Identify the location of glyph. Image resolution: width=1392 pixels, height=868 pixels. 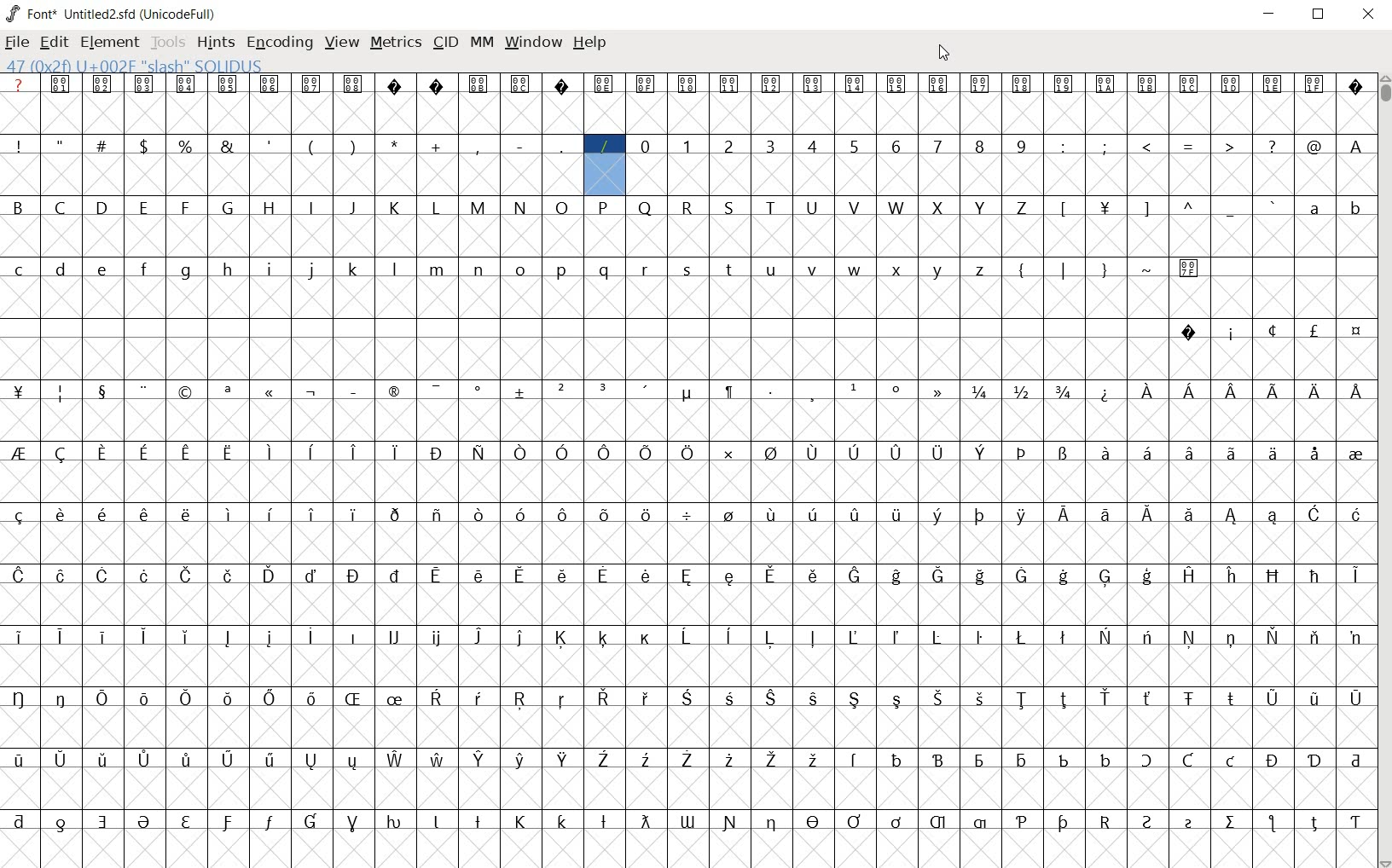
(855, 453).